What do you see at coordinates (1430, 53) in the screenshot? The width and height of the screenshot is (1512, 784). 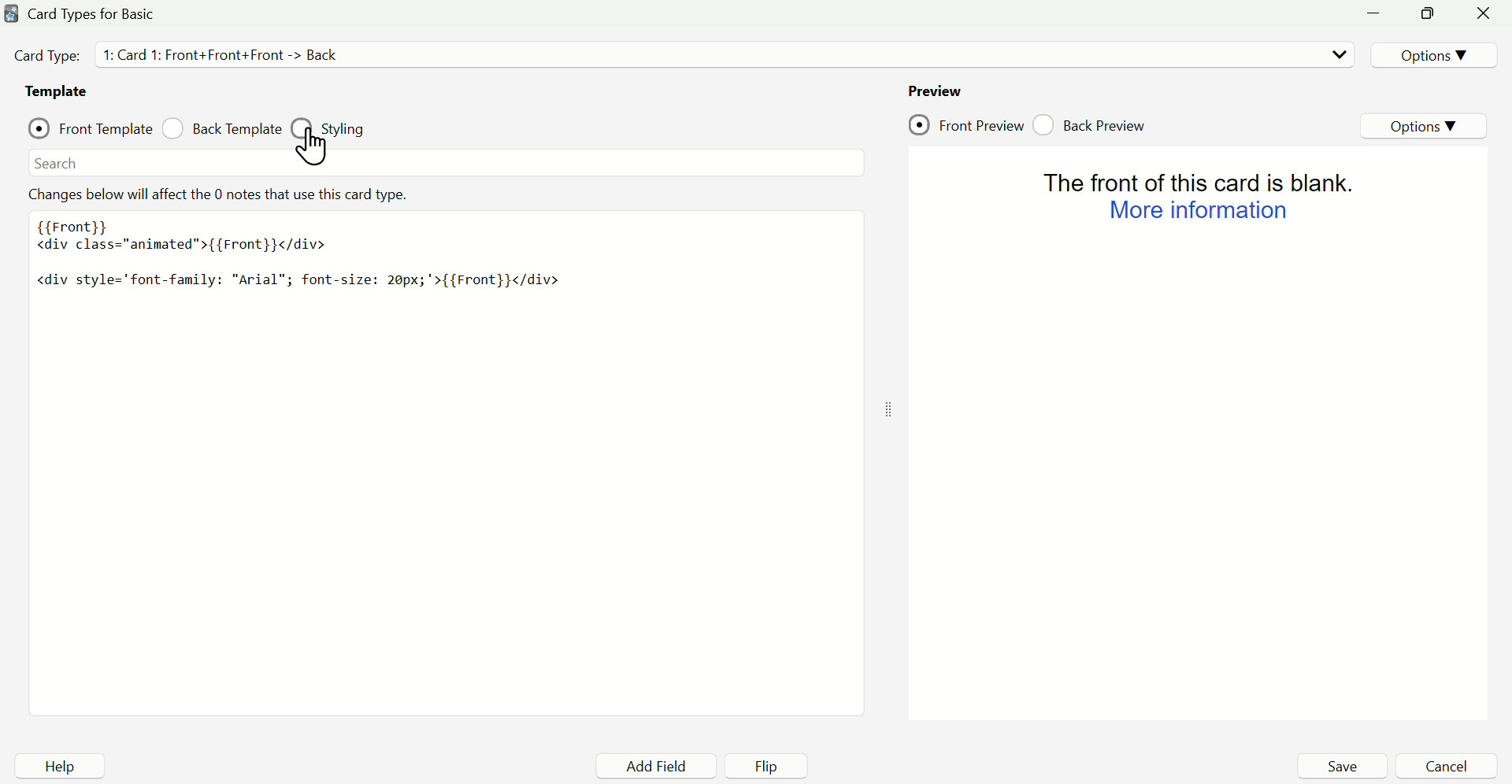 I see `Options` at bounding box center [1430, 53].